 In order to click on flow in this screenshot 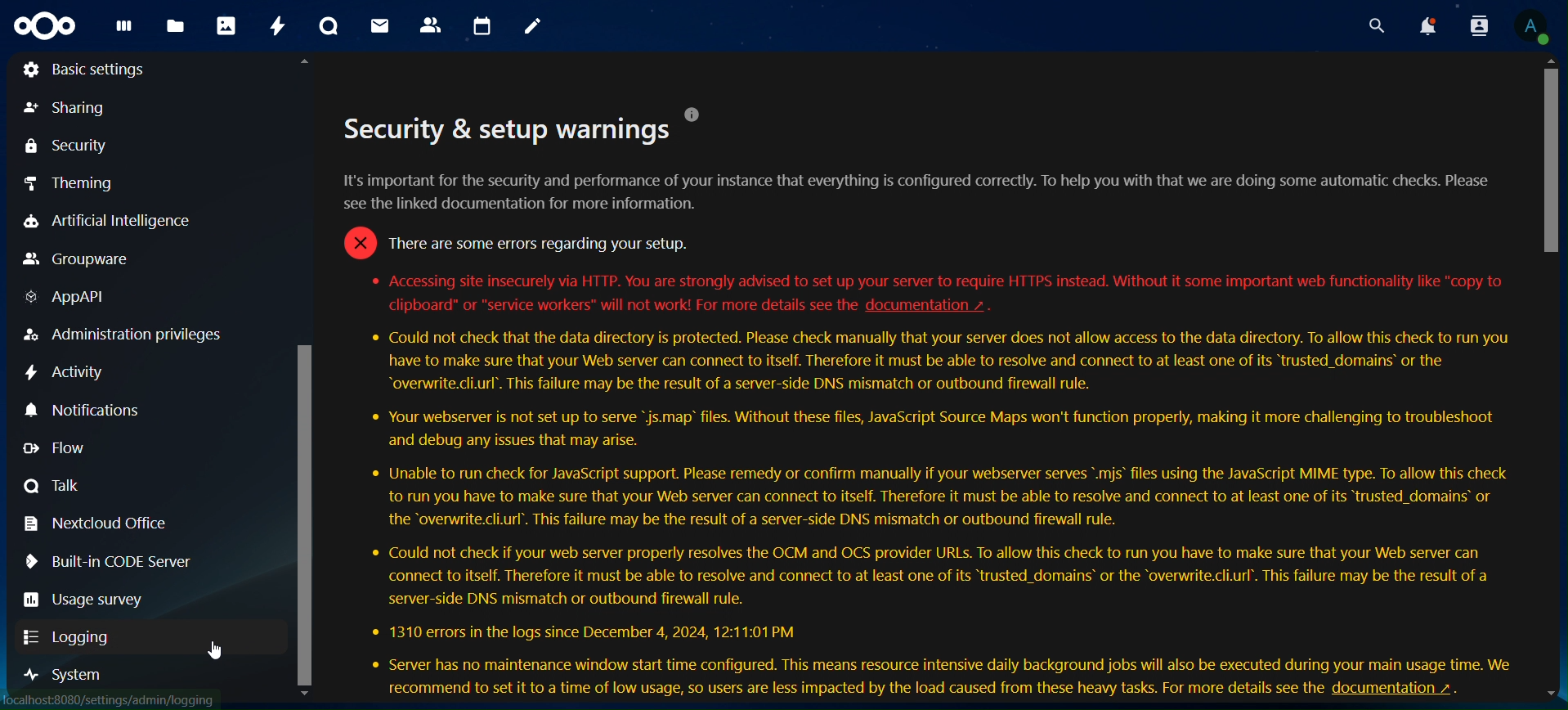, I will do `click(77, 451)`.